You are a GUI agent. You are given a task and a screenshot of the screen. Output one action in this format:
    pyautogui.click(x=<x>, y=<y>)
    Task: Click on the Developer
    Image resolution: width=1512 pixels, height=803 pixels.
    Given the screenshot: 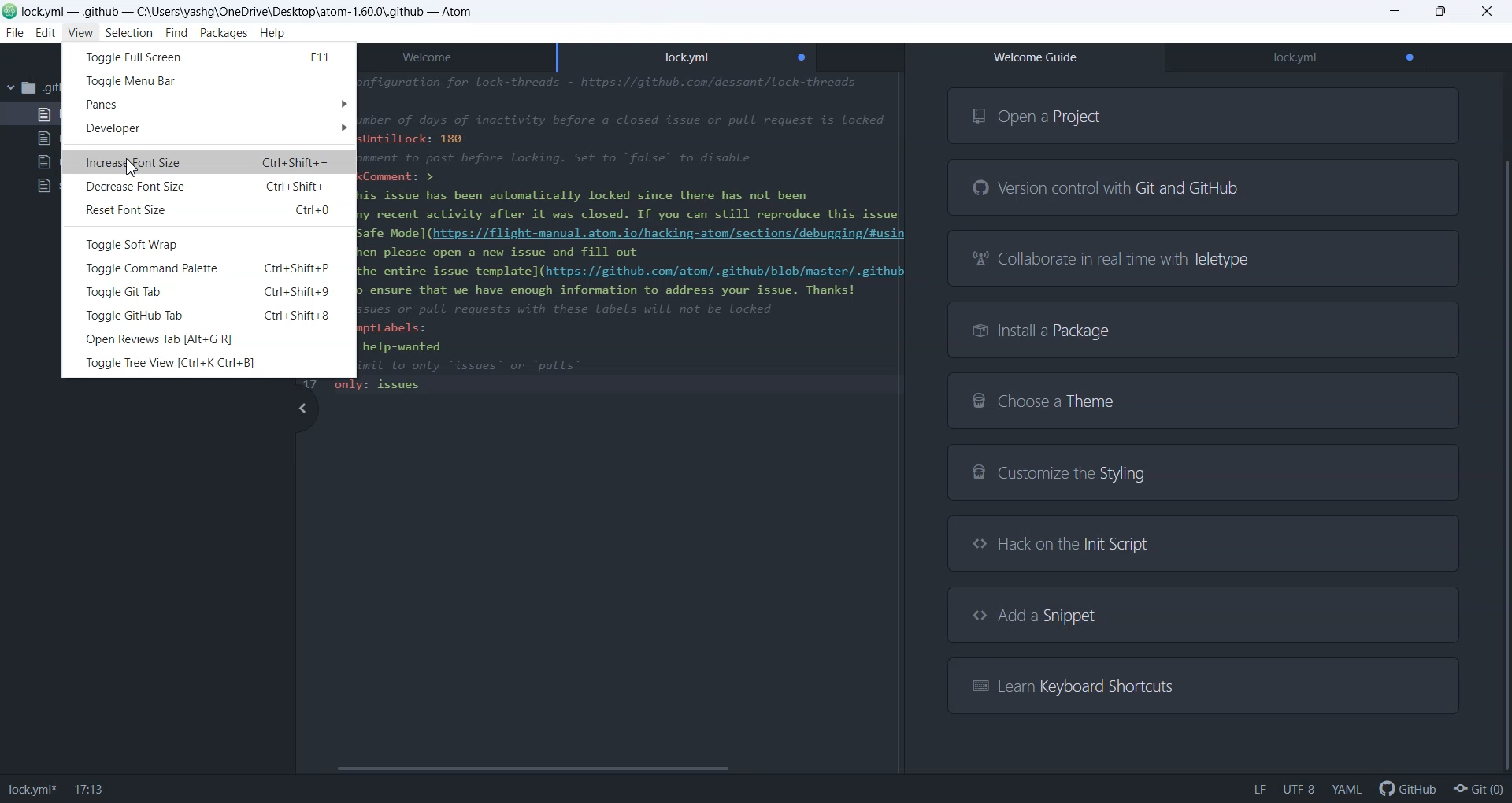 What is the action you would take?
    pyautogui.click(x=210, y=129)
    